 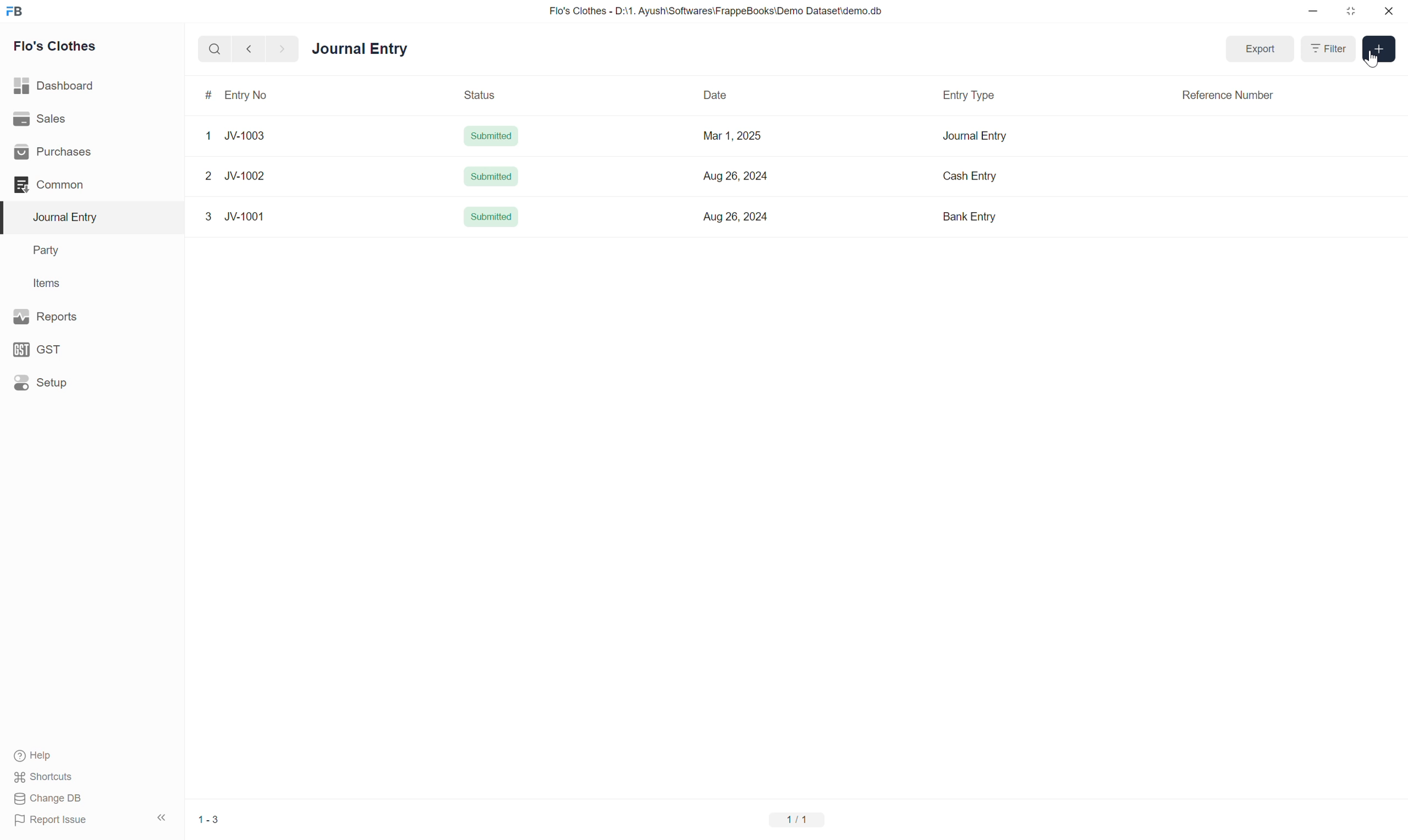 What do you see at coordinates (15, 11) in the screenshot?
I see `FB` at bounding box center [15, 11].